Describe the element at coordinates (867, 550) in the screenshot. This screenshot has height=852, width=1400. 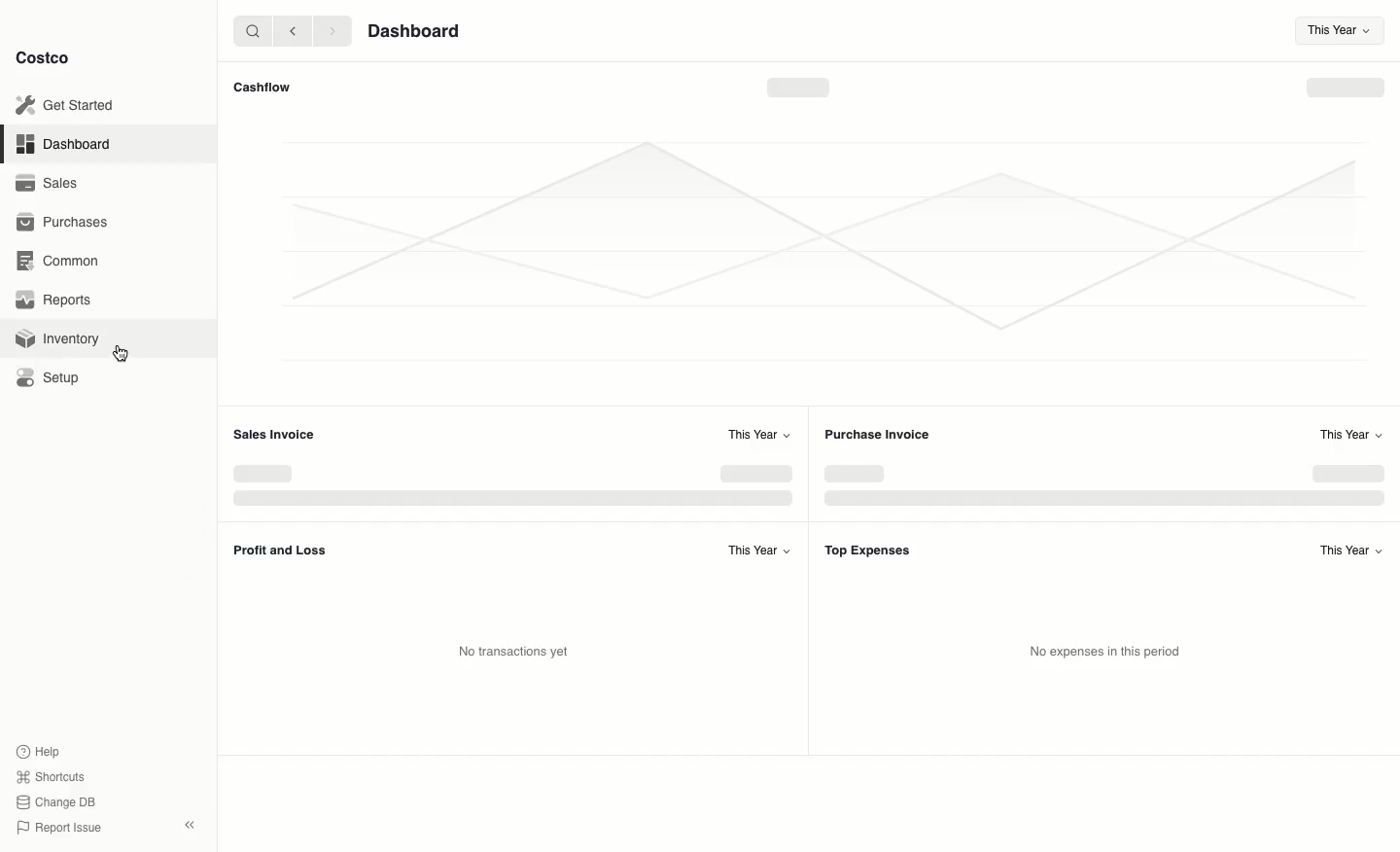
I see `Top Expenses` at that location.